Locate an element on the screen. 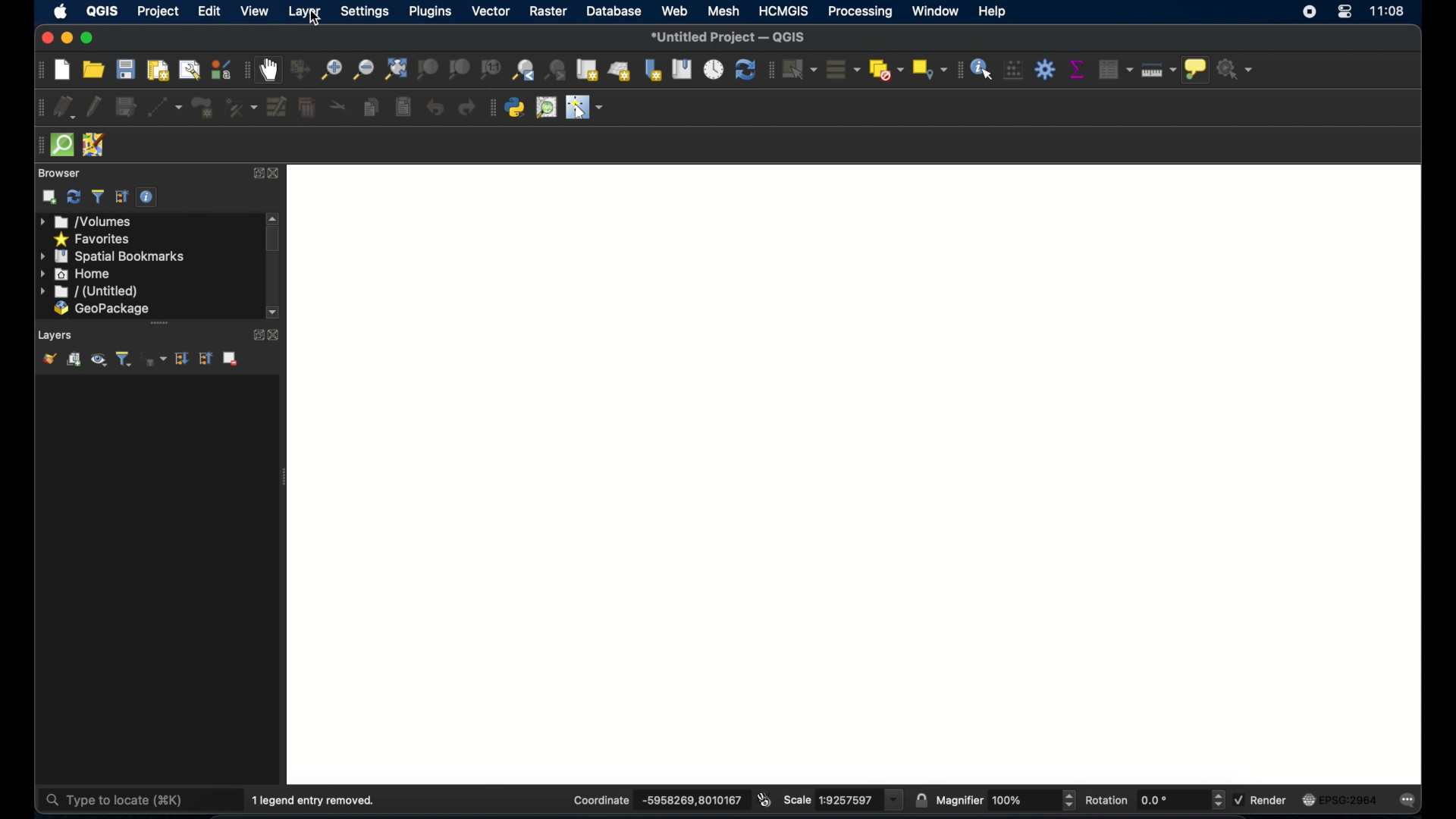 The width and height of the screenshot is (1456, 819). measure line is located at coordinates (1161, 72).